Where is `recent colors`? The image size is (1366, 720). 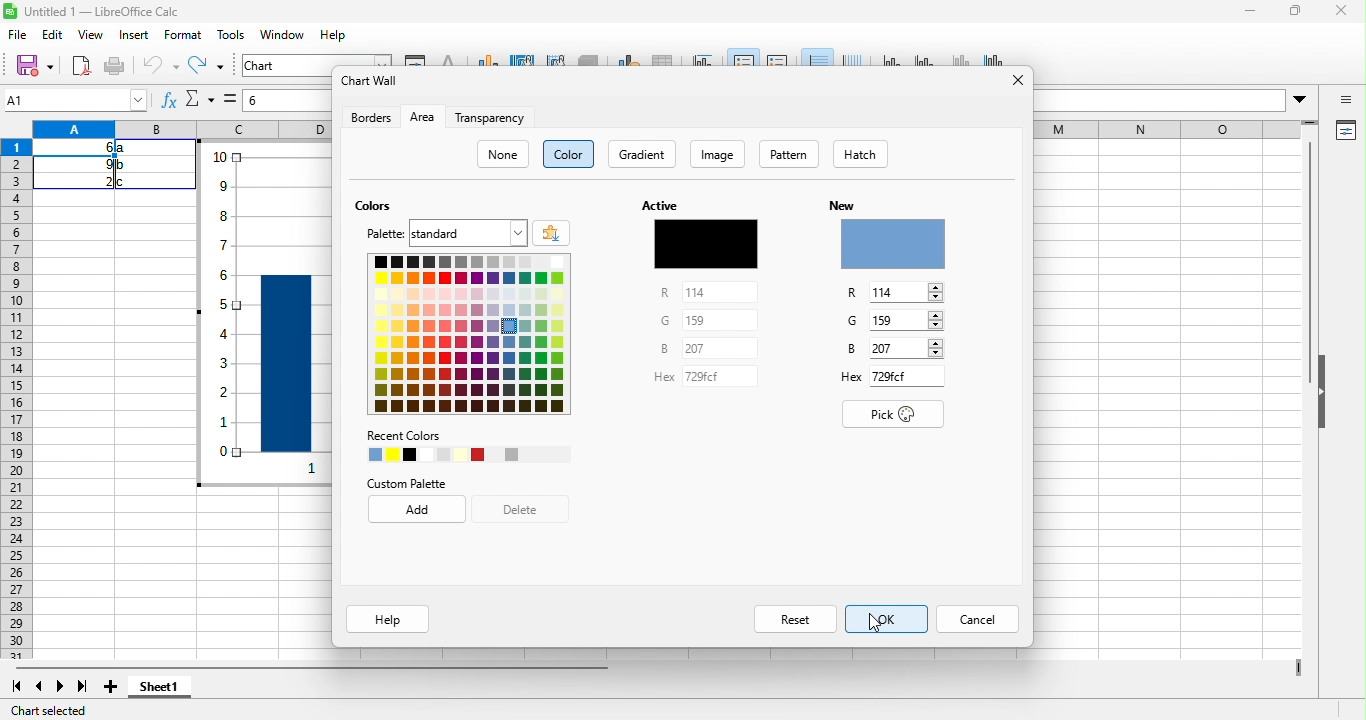 recent colors is located at coordinates (407, 434).